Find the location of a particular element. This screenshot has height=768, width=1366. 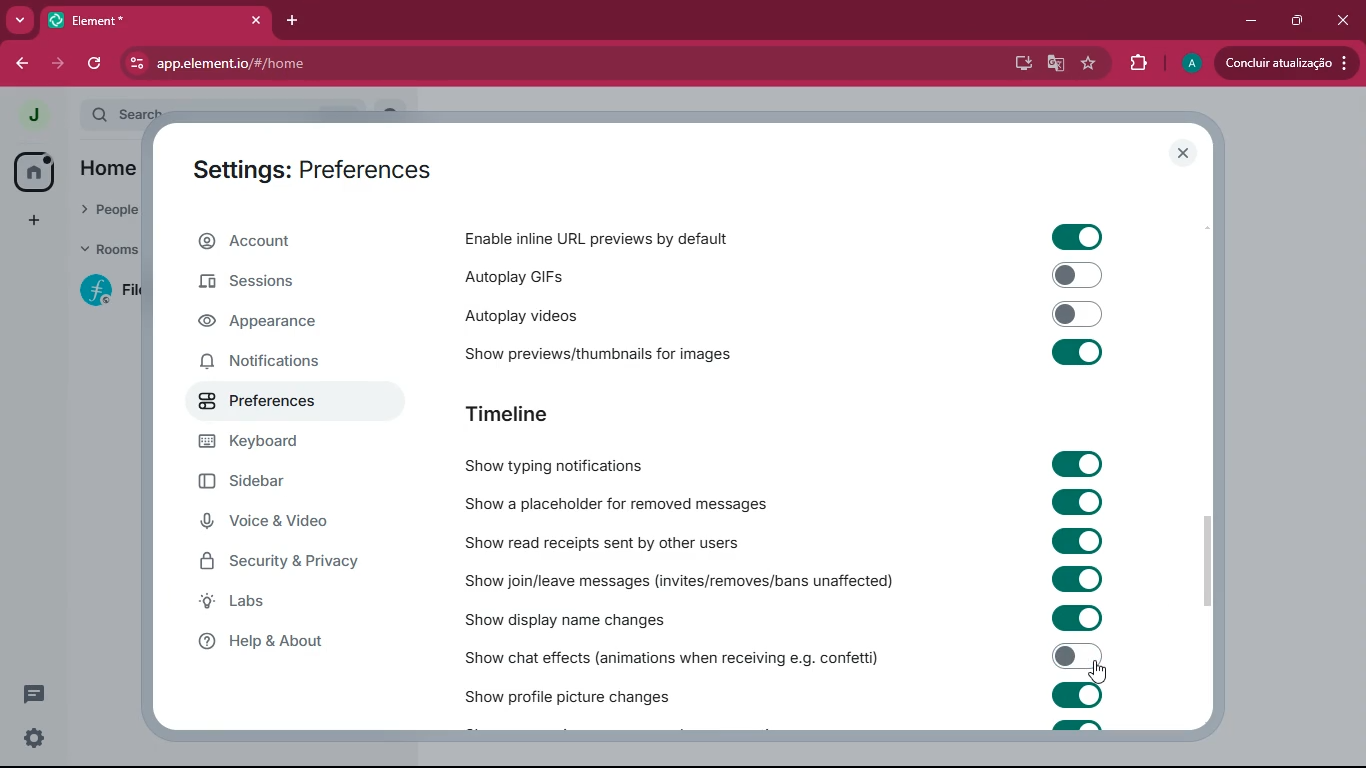

toggle on/off is located at coordinates (1078, 464).